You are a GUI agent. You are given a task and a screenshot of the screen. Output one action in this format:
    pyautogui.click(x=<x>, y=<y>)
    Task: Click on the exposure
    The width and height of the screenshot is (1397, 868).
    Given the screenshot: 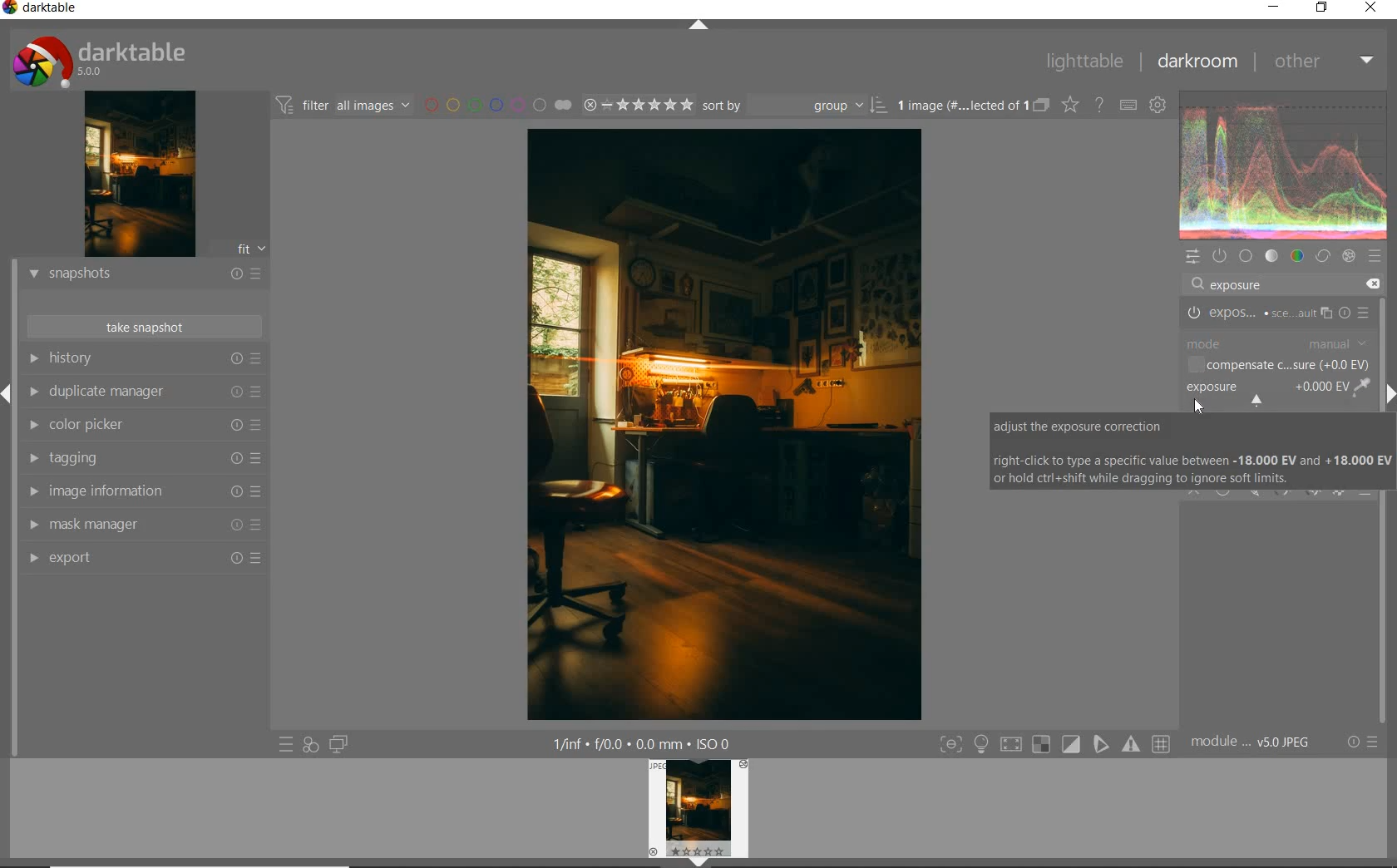 What is the action you would take?
    pyautogui.click(x=1278, y=311)
    